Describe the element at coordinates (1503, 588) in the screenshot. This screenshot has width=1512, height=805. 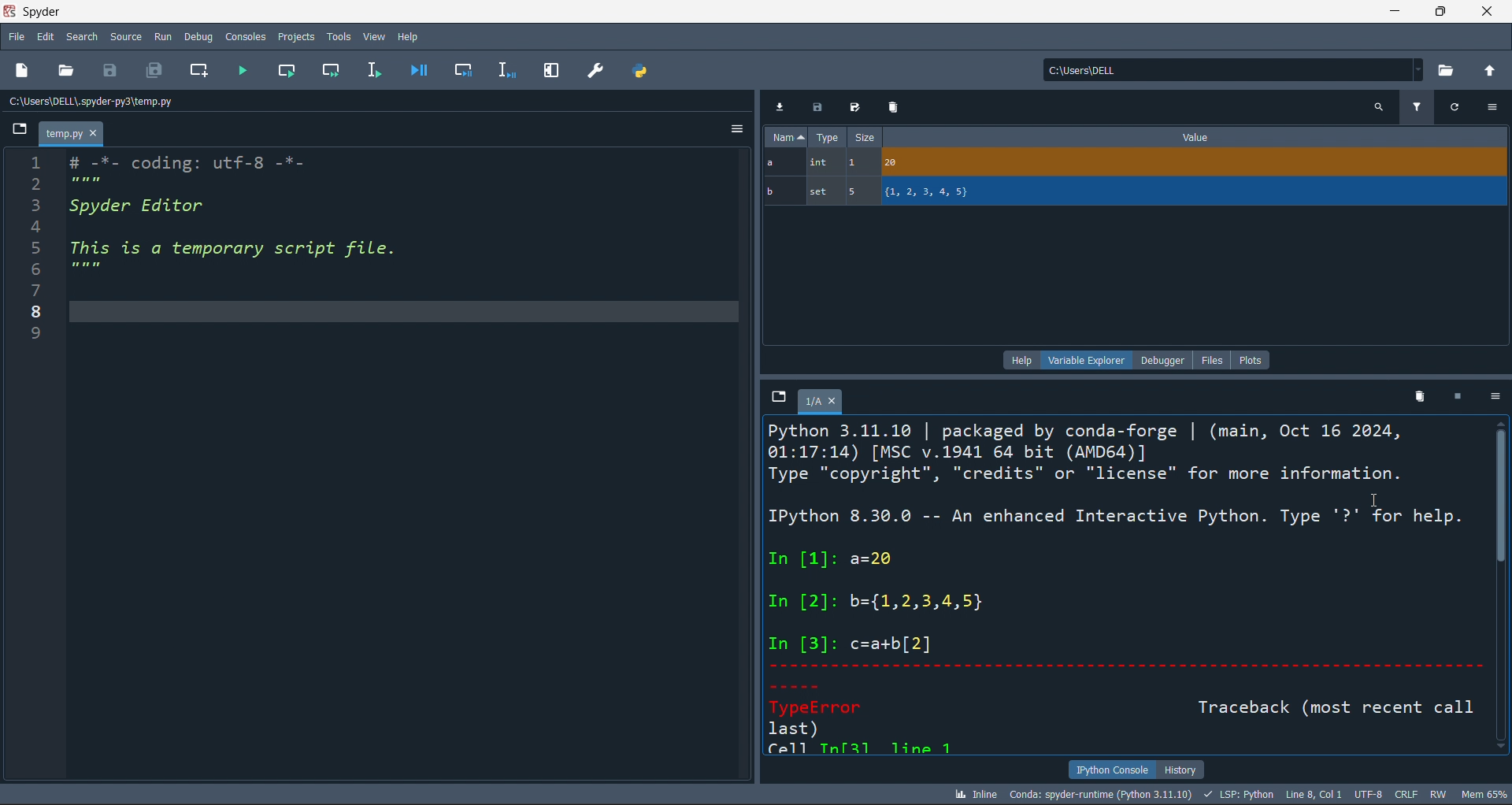
I see `scroll bar` at that location.